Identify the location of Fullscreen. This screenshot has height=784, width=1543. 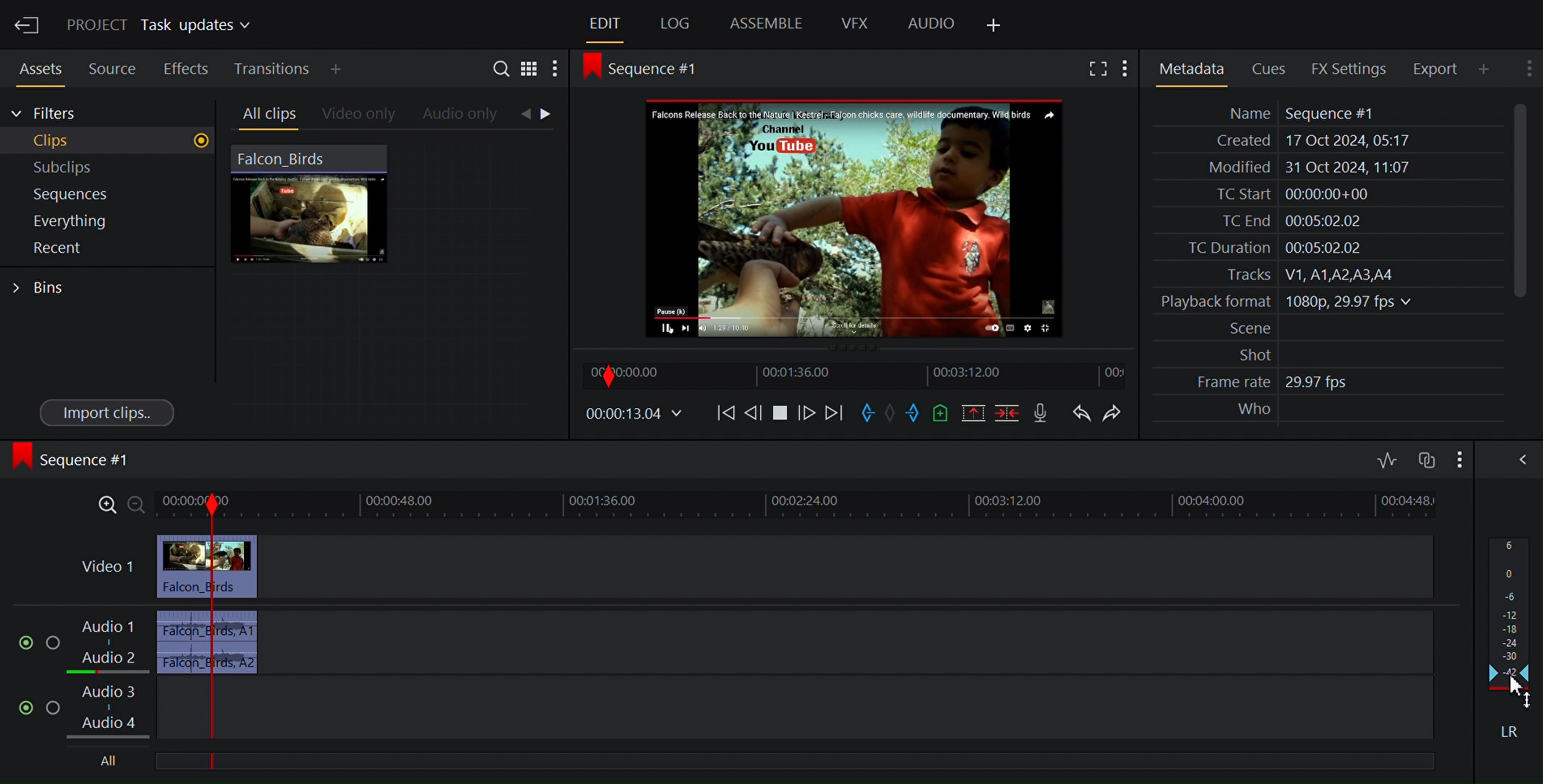
(1095, 67).